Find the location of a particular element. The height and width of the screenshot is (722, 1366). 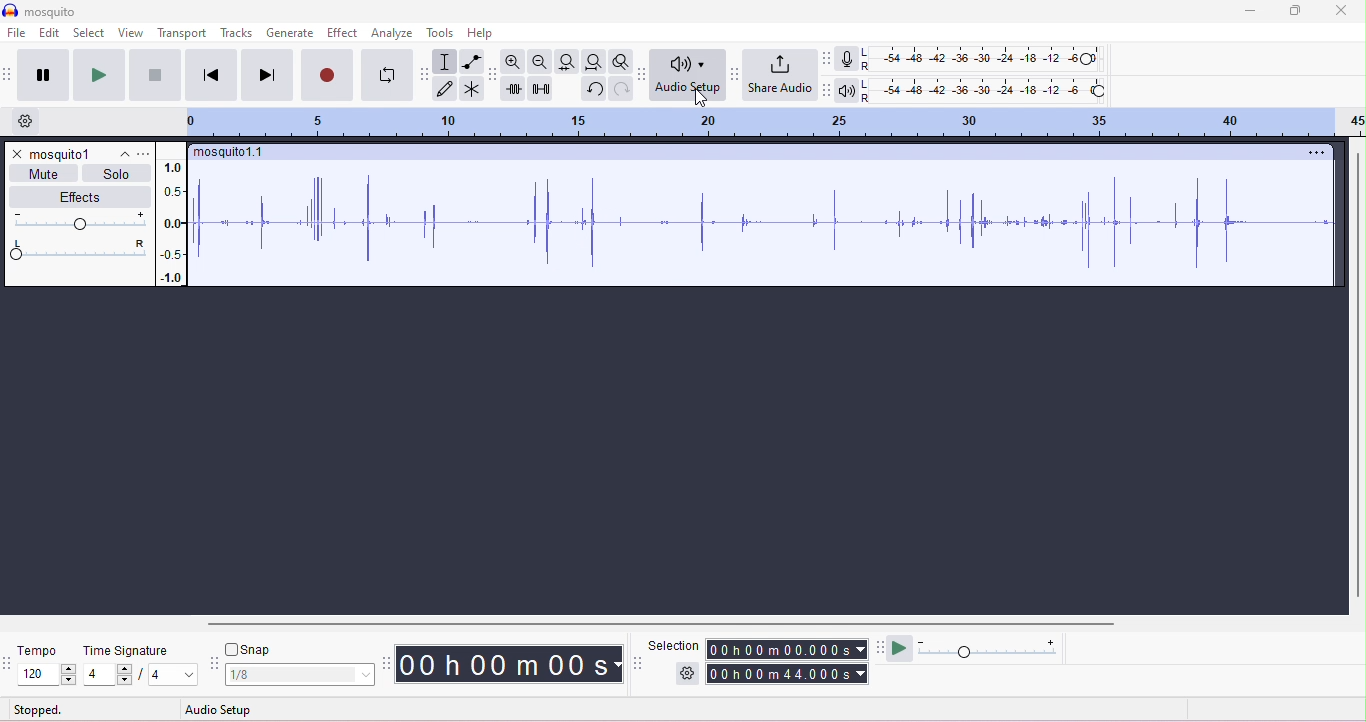

maximize is located at coordinates (1292, 11).